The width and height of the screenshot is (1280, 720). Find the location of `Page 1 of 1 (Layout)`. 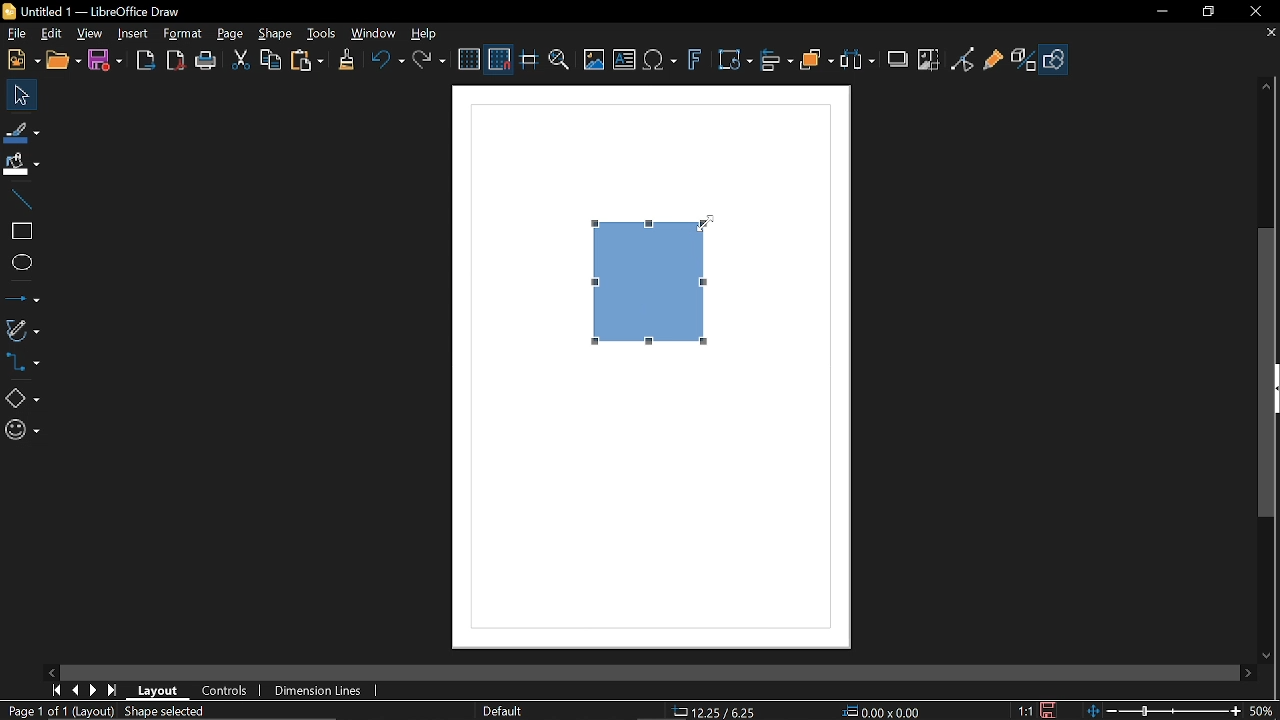

Page 1 of 1 (Layout) is located at coordinates (58, 712).